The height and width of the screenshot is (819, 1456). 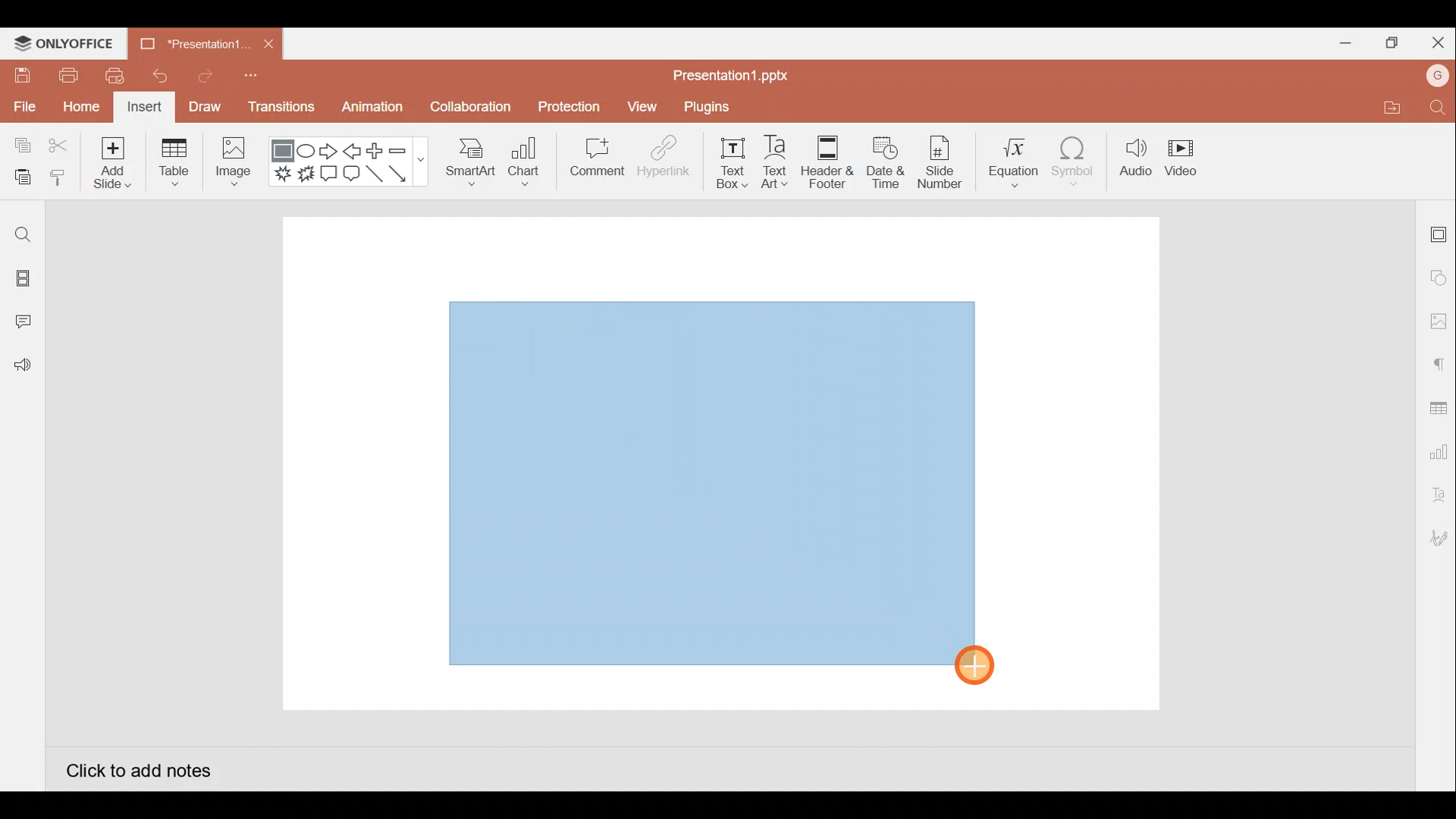 I want to click on Text Art, so click(x=781, y=158).